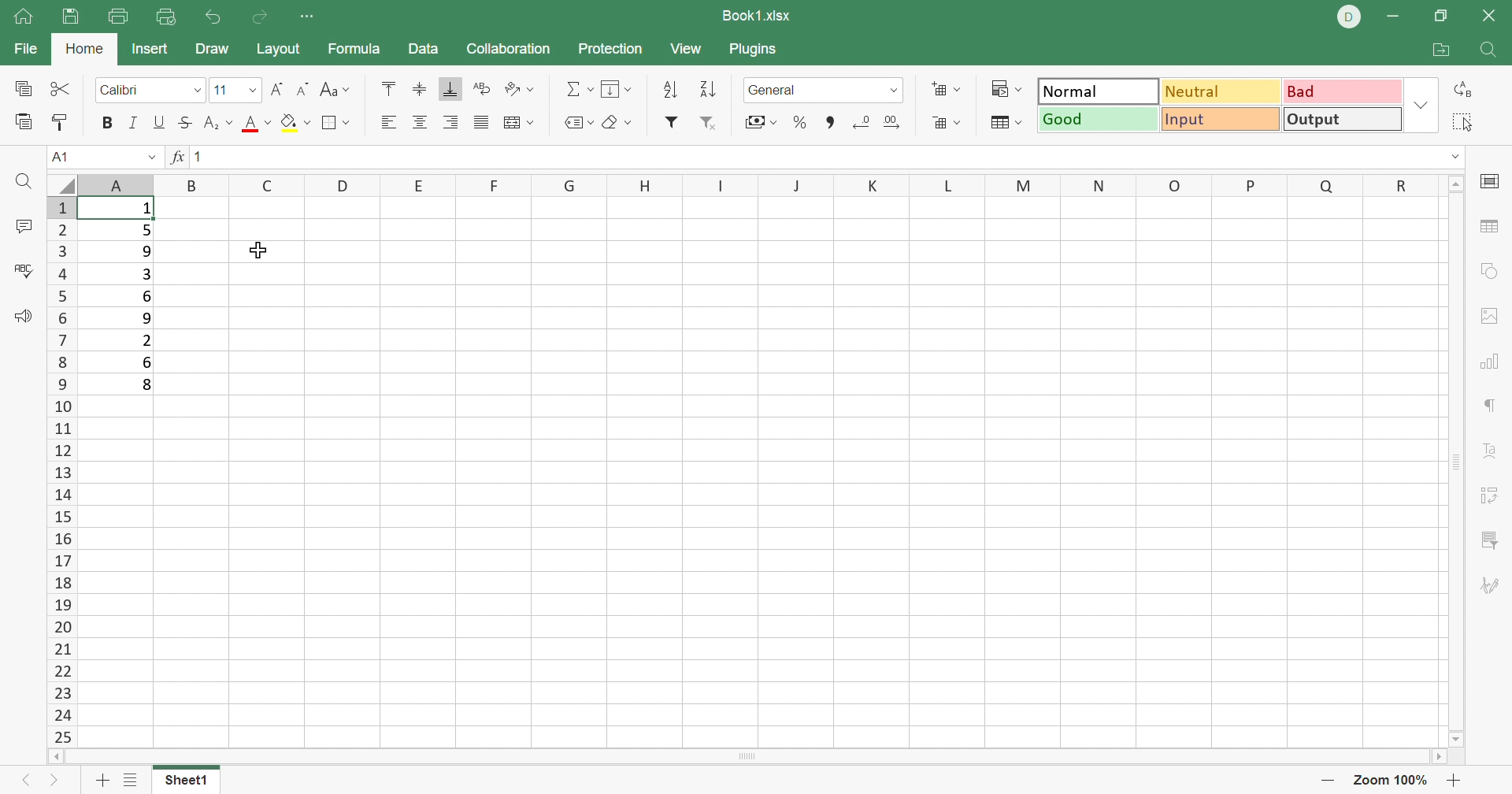  What do you see at coordinates (23, 21) in the screenshot?
I see `Home` at bounding box center [23, 21].